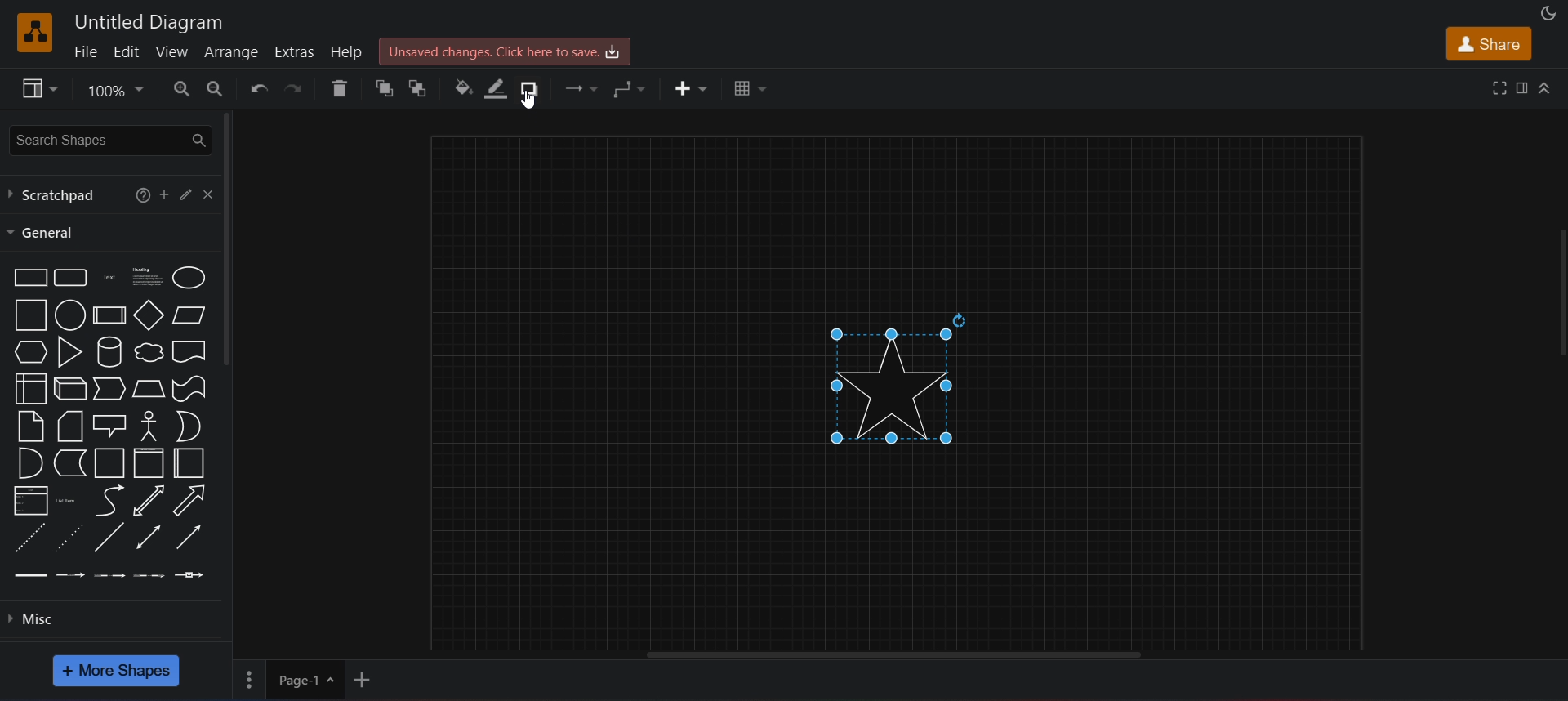 Image resolution: width=1568 pixels, height=701 pixels. Describe the element at coordinates (29, 276) in the screenshot. I see `rectangle` at that location.